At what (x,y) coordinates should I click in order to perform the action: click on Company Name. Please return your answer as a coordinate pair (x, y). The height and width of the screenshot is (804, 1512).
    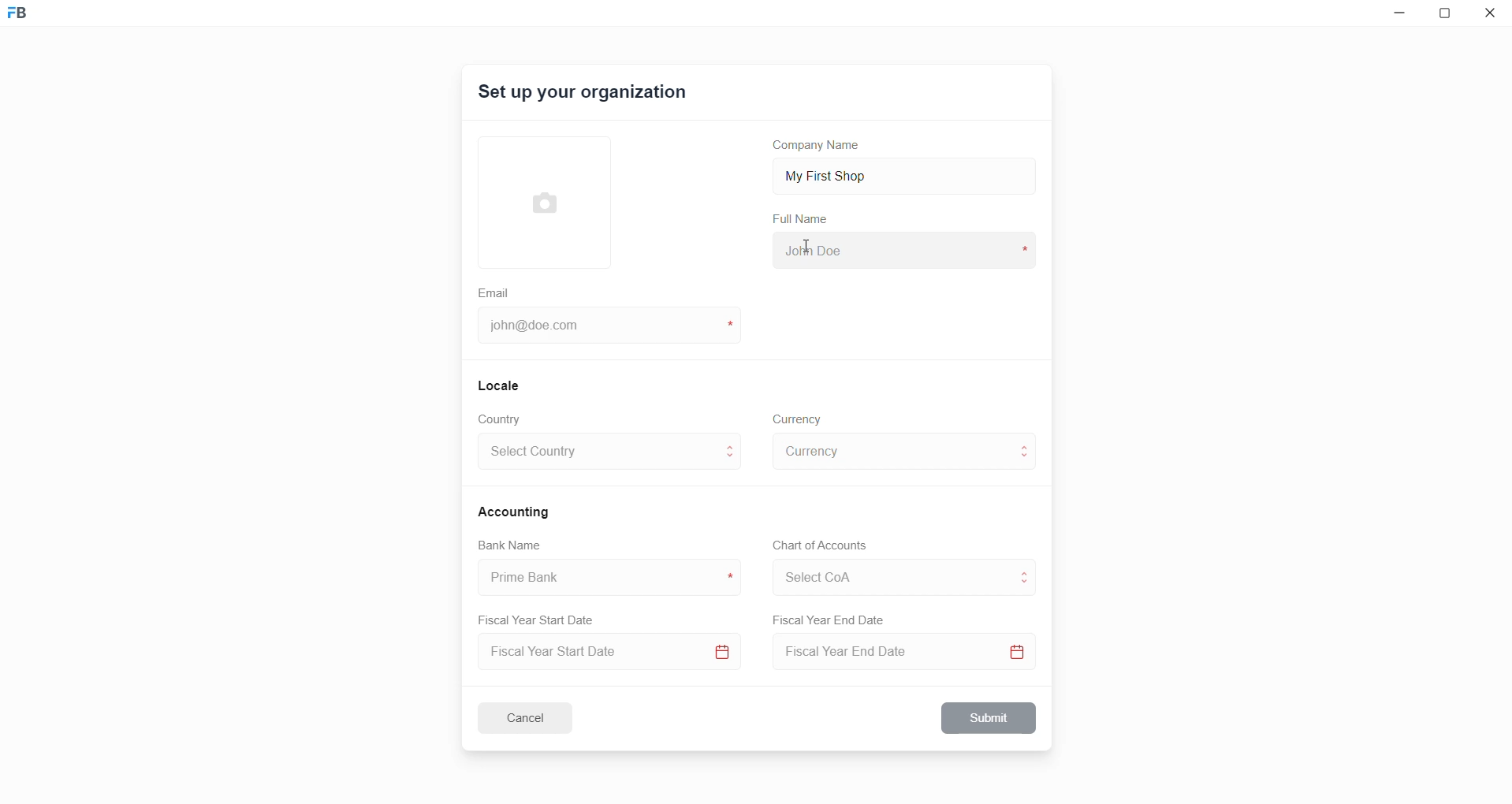
    Looking at the image, I should click on (822, 147).